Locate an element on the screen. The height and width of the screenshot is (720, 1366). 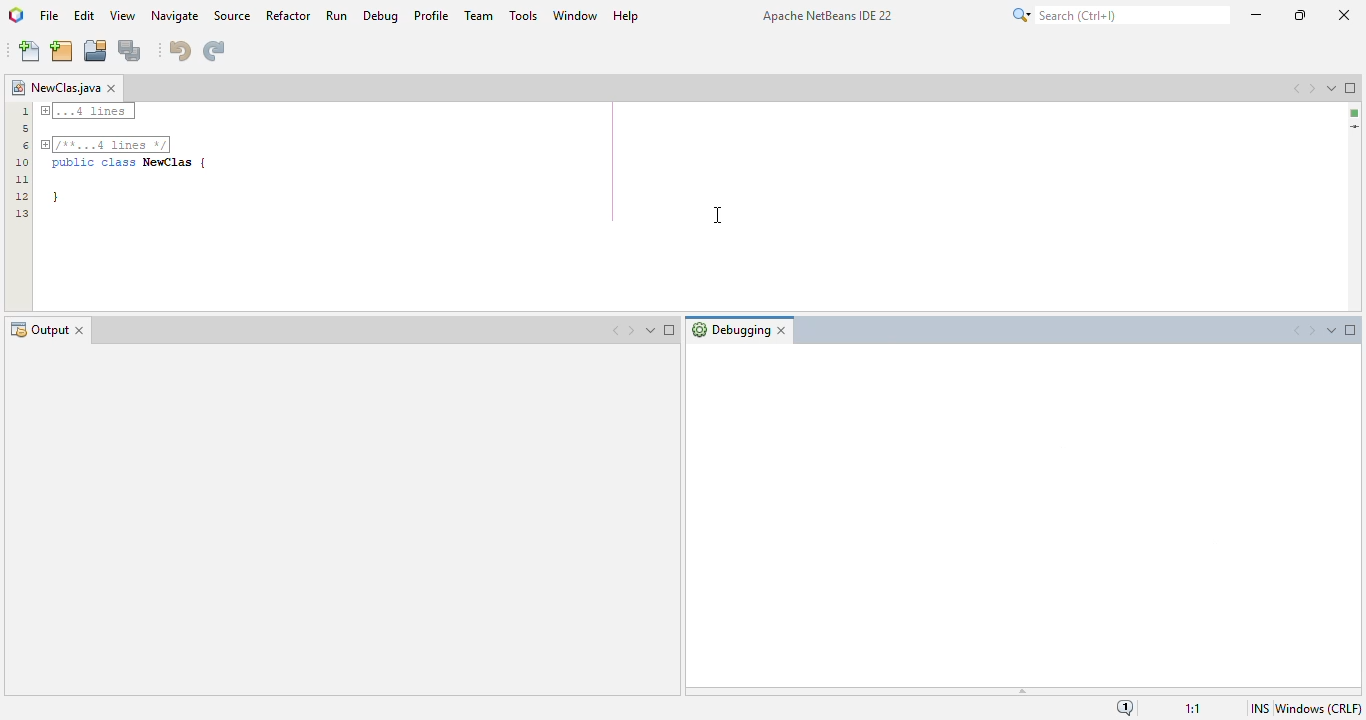
windows (CRLF) is located at coordinates (1317, 709).